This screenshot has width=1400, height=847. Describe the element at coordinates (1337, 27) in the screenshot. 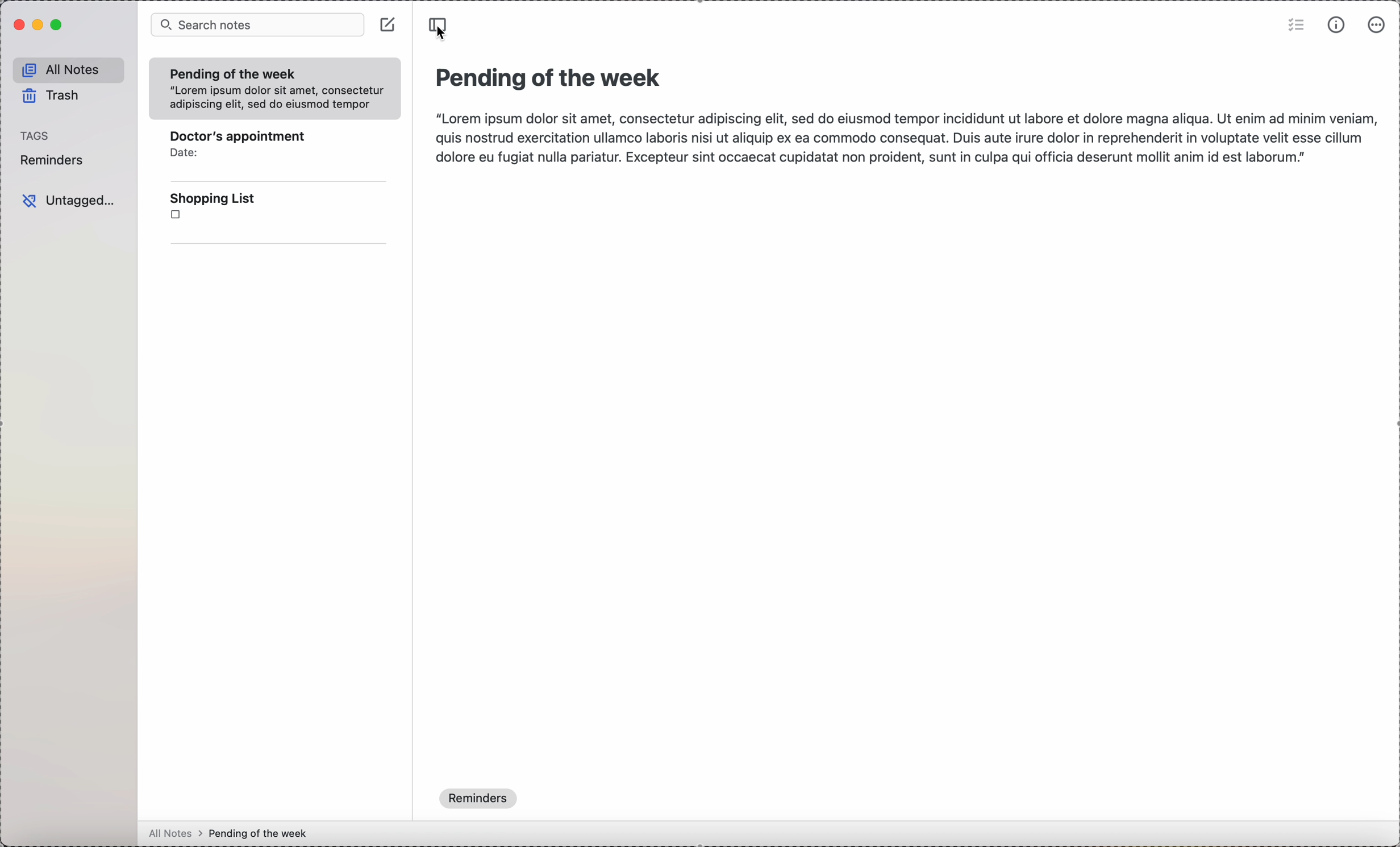

I see `metrics` at that location.